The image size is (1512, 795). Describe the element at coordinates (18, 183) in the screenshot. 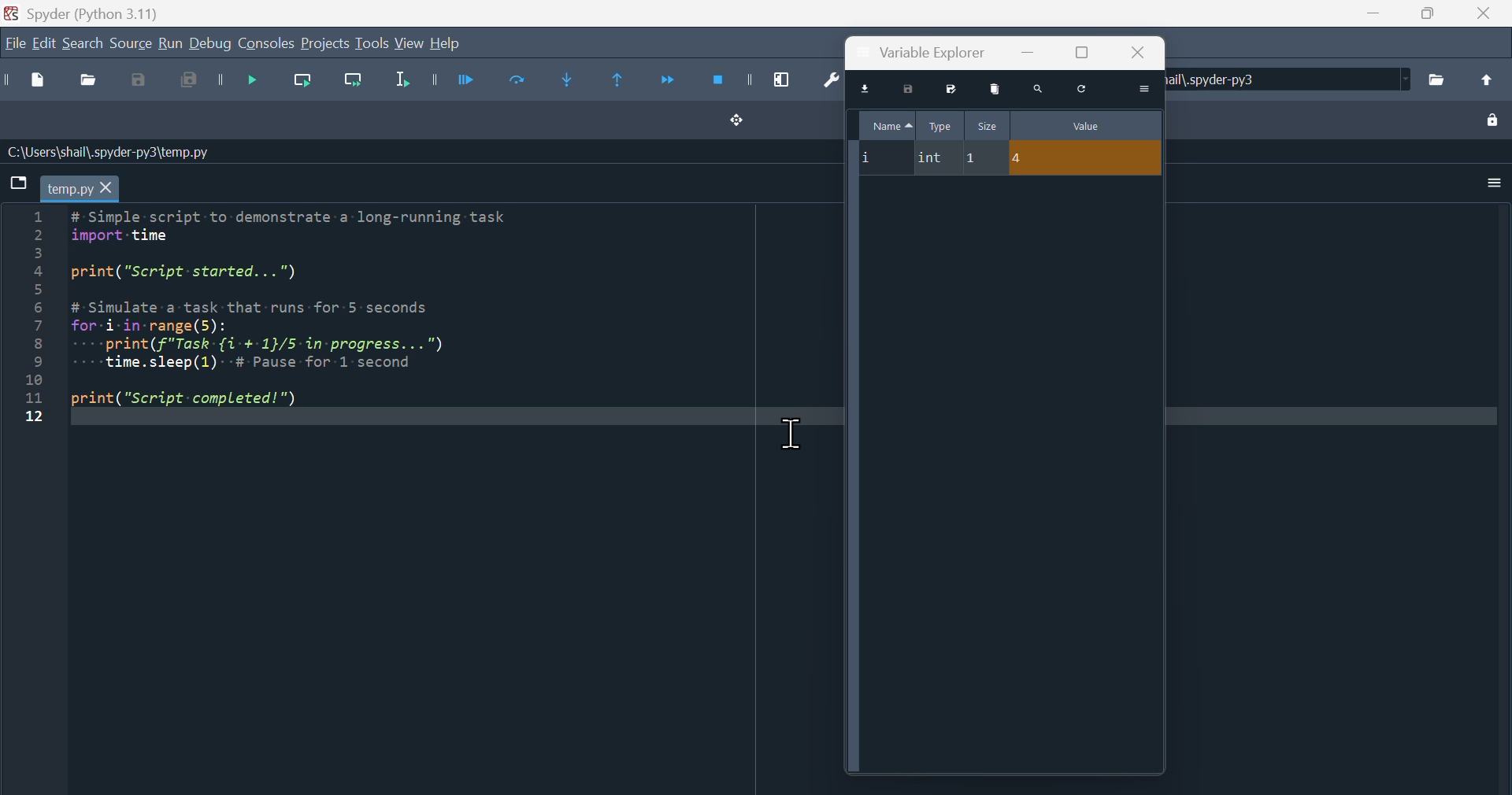

I see `browse tabs` at that location.